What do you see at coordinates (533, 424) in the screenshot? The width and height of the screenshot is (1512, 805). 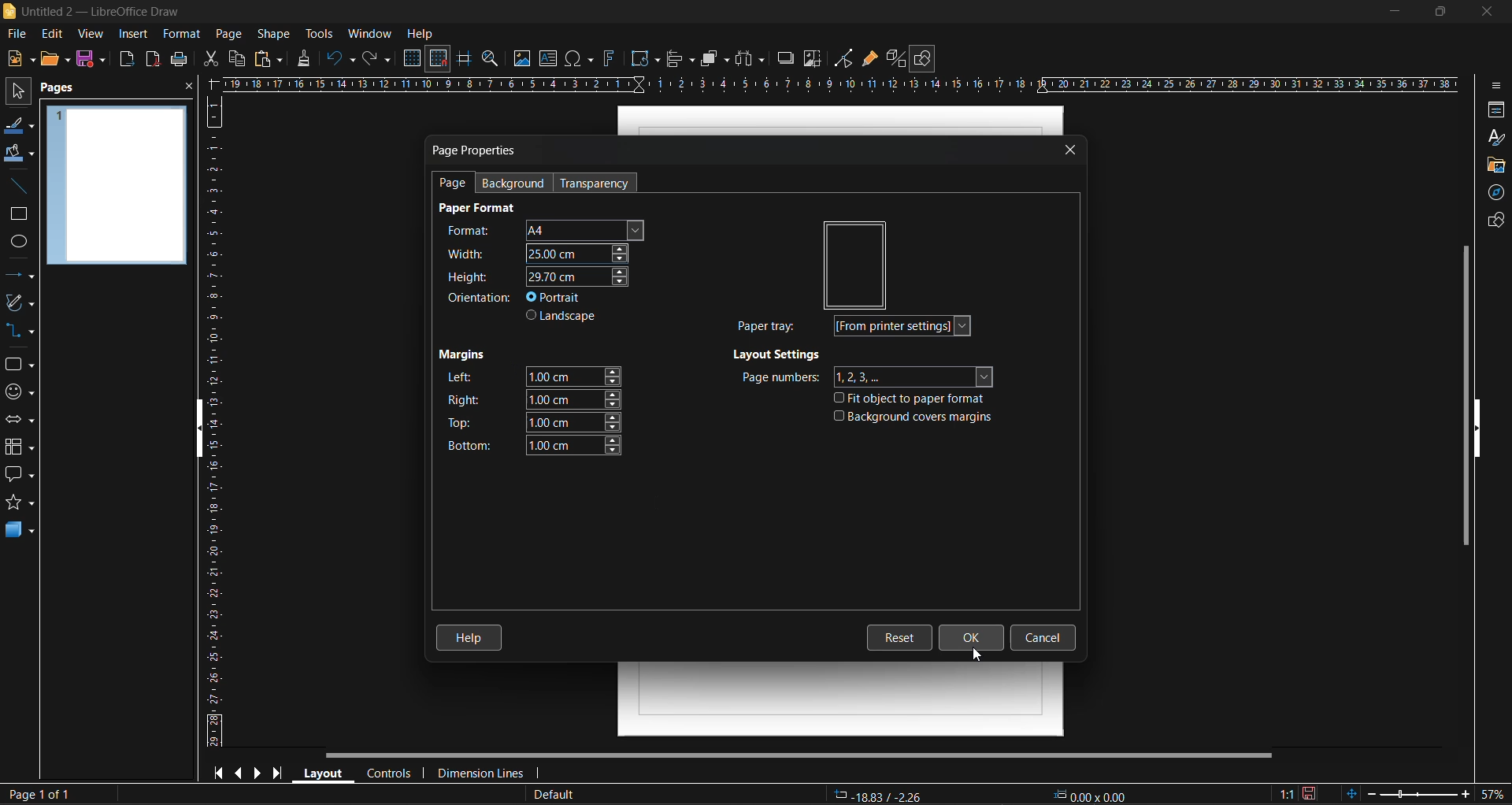 I see `top` at bounding box center [533, 424].